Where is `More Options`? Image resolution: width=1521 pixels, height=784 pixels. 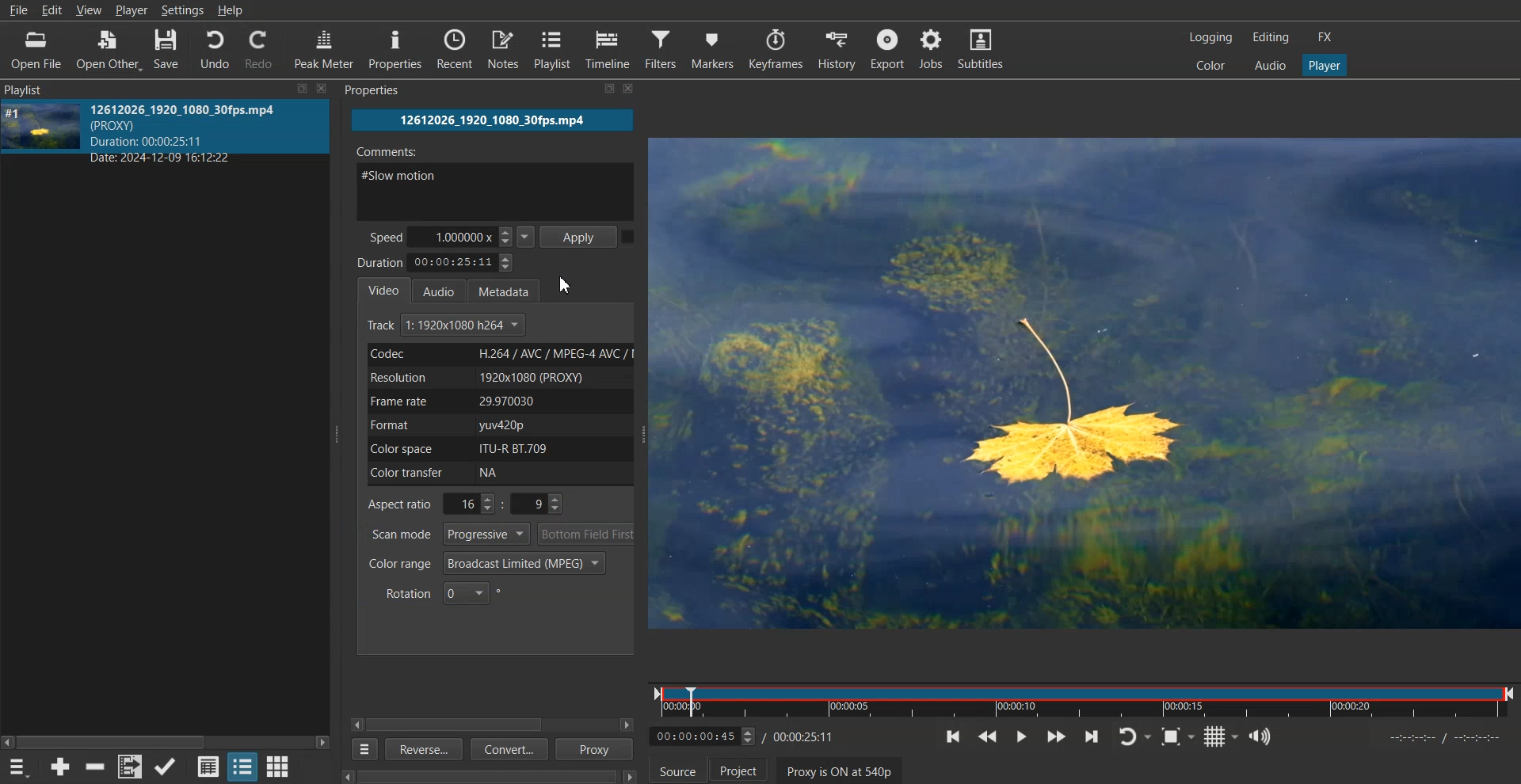 More Options is located at coordinates (361, 749).